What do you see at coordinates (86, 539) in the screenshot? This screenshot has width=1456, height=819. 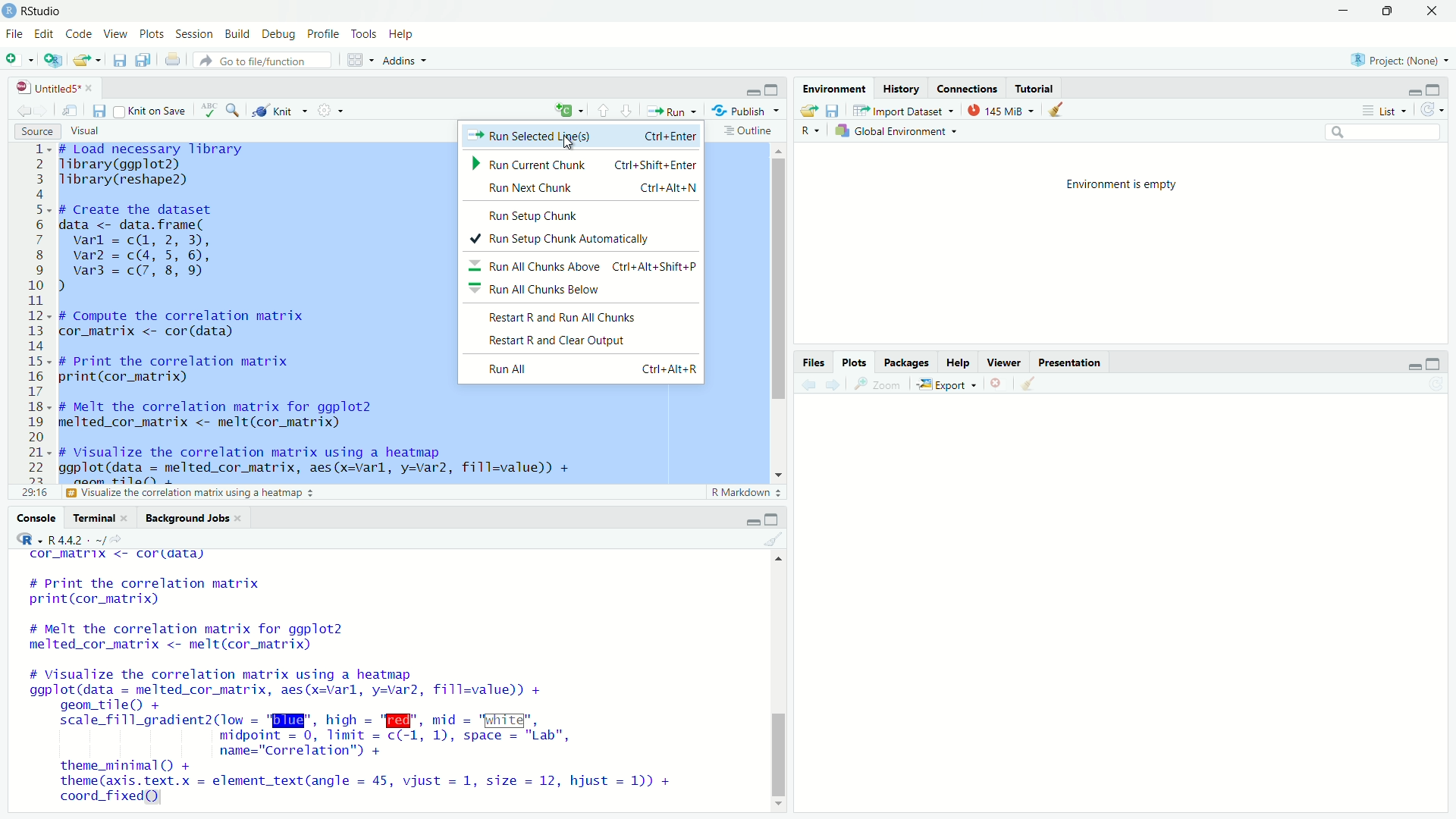 I see `r language R4.4.2` at bounding box center [86, 539].